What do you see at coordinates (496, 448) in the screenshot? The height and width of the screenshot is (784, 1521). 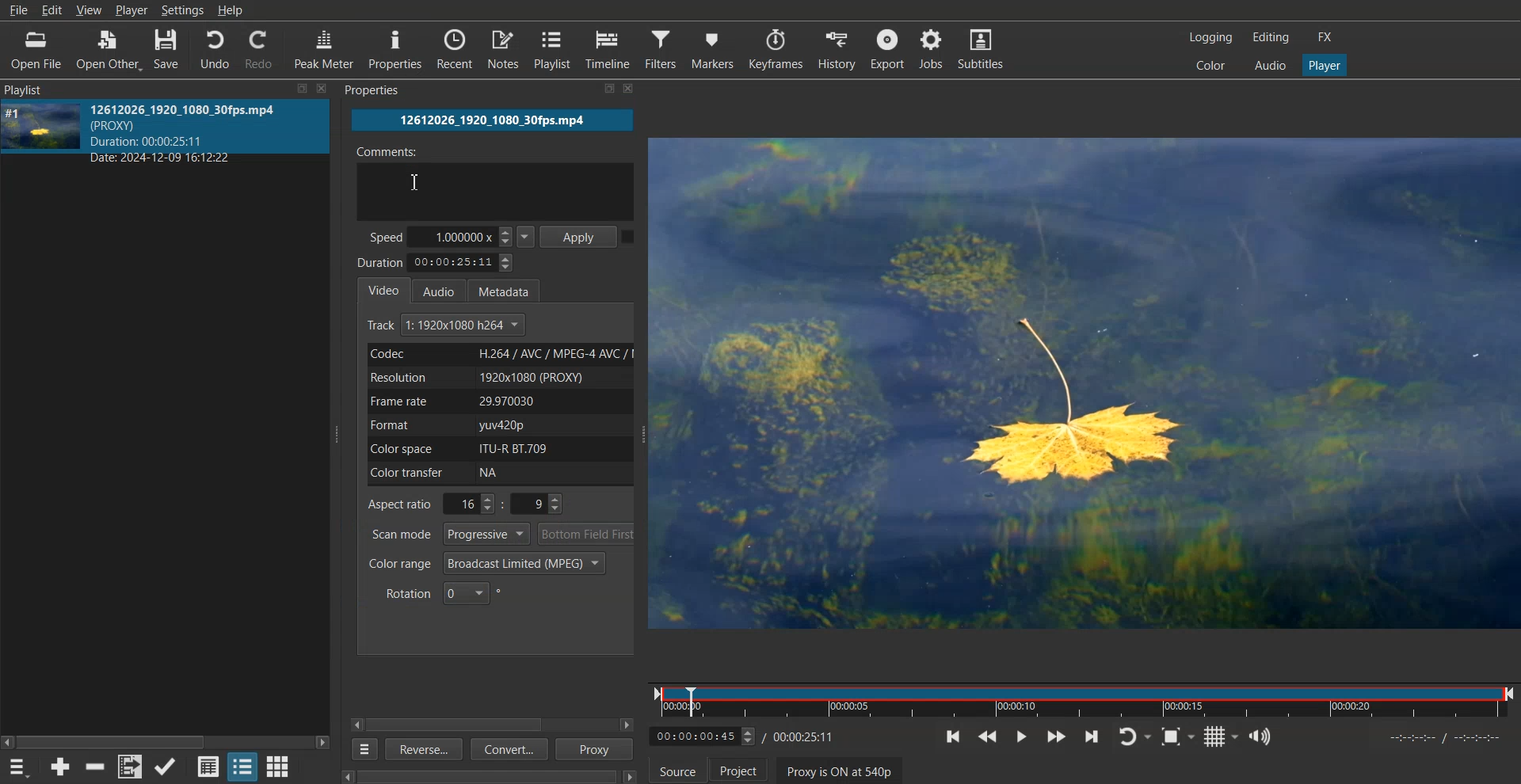 I see `Color Space` at bounding box center [496, 448].